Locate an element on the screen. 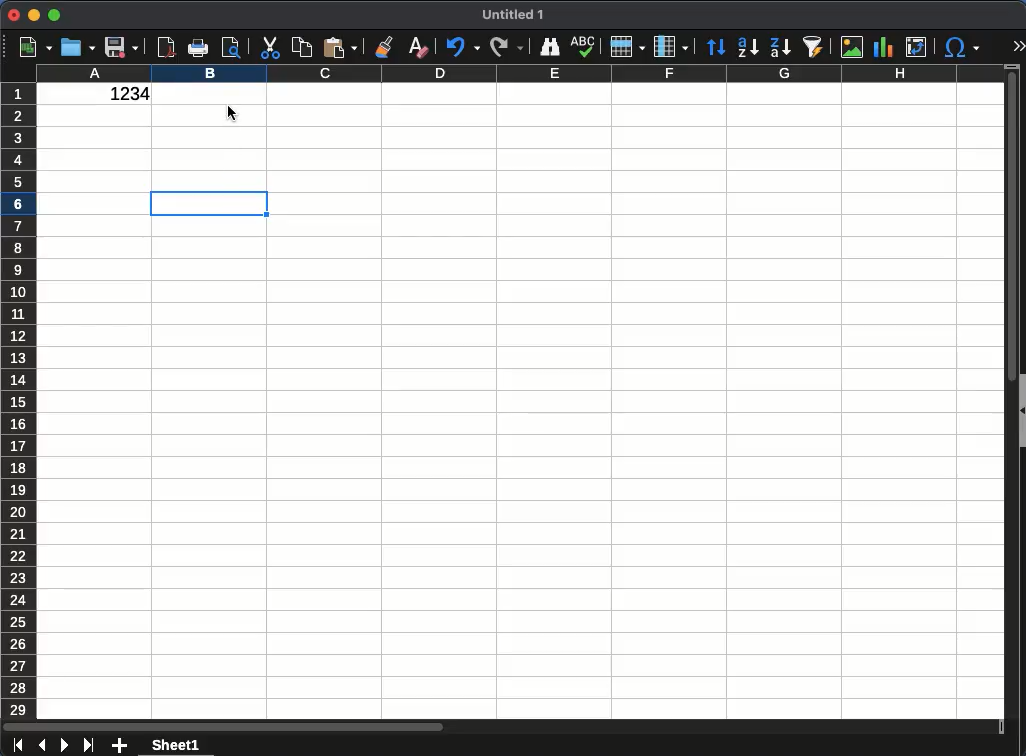 This screenshot has width=1026, height=756. rows is located at coordinates (21, 400).